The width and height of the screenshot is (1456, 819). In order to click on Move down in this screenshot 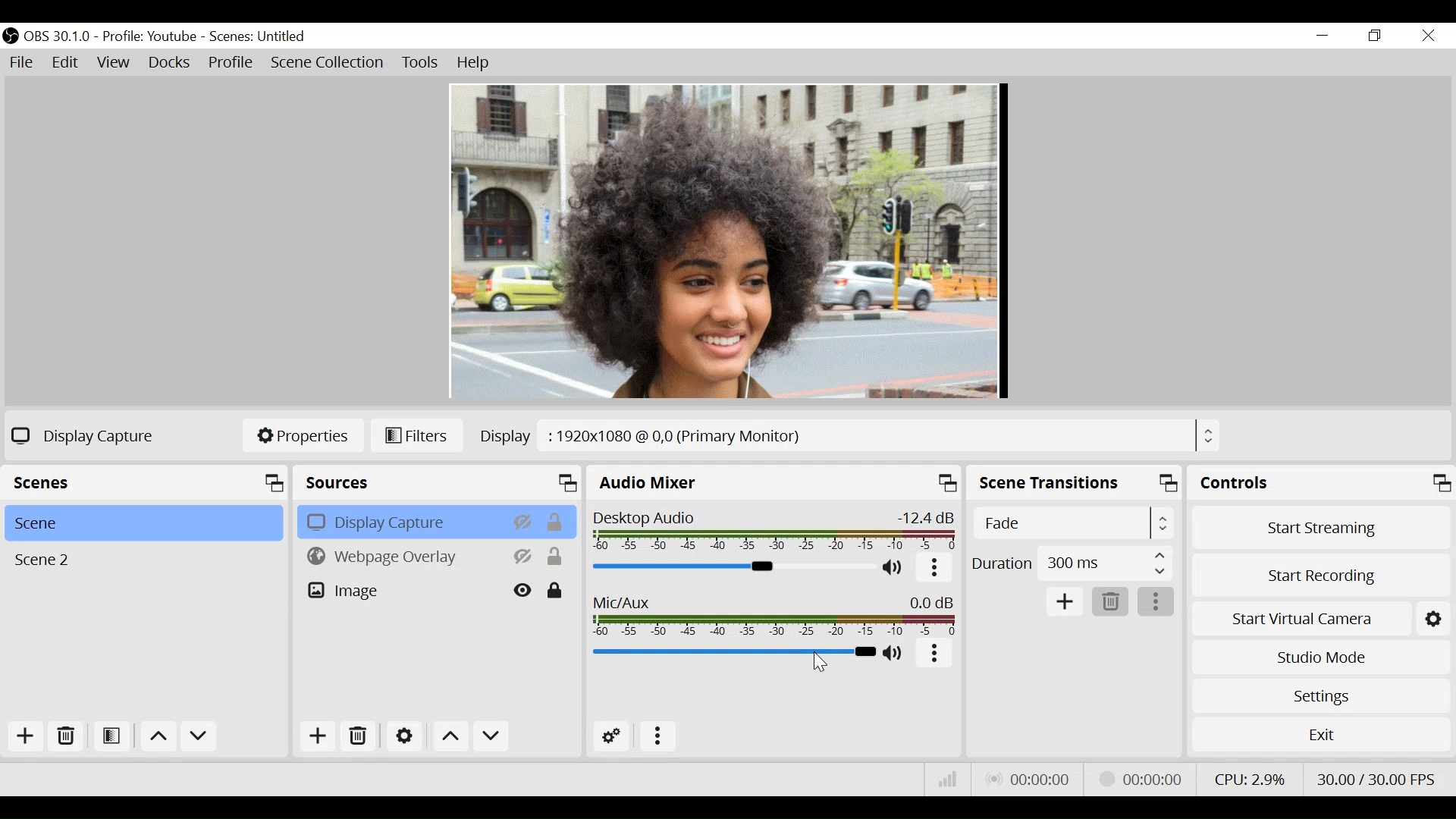, I will do `click(198, 736)`.